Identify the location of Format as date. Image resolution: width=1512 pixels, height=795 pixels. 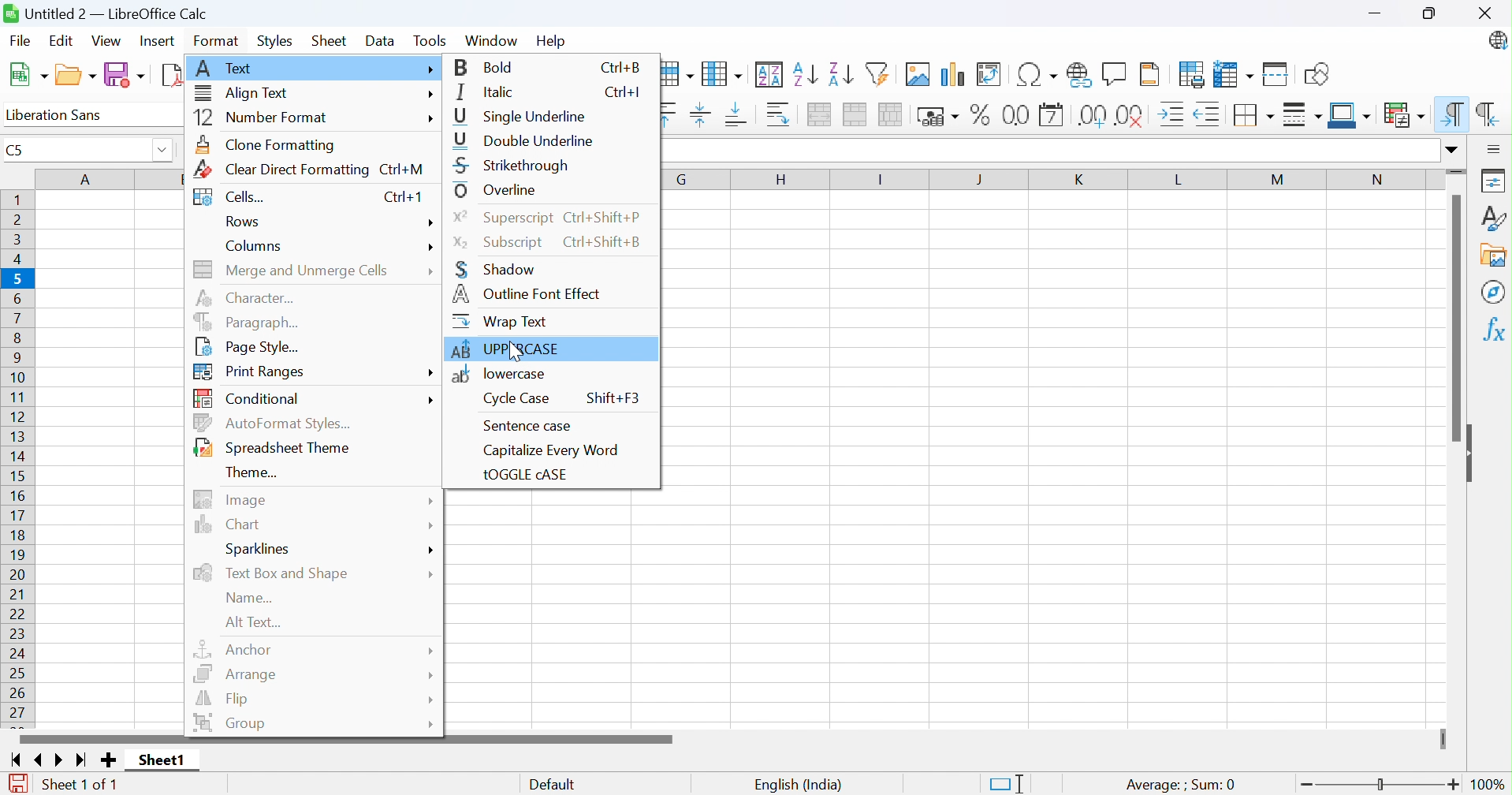
(1053, 114).